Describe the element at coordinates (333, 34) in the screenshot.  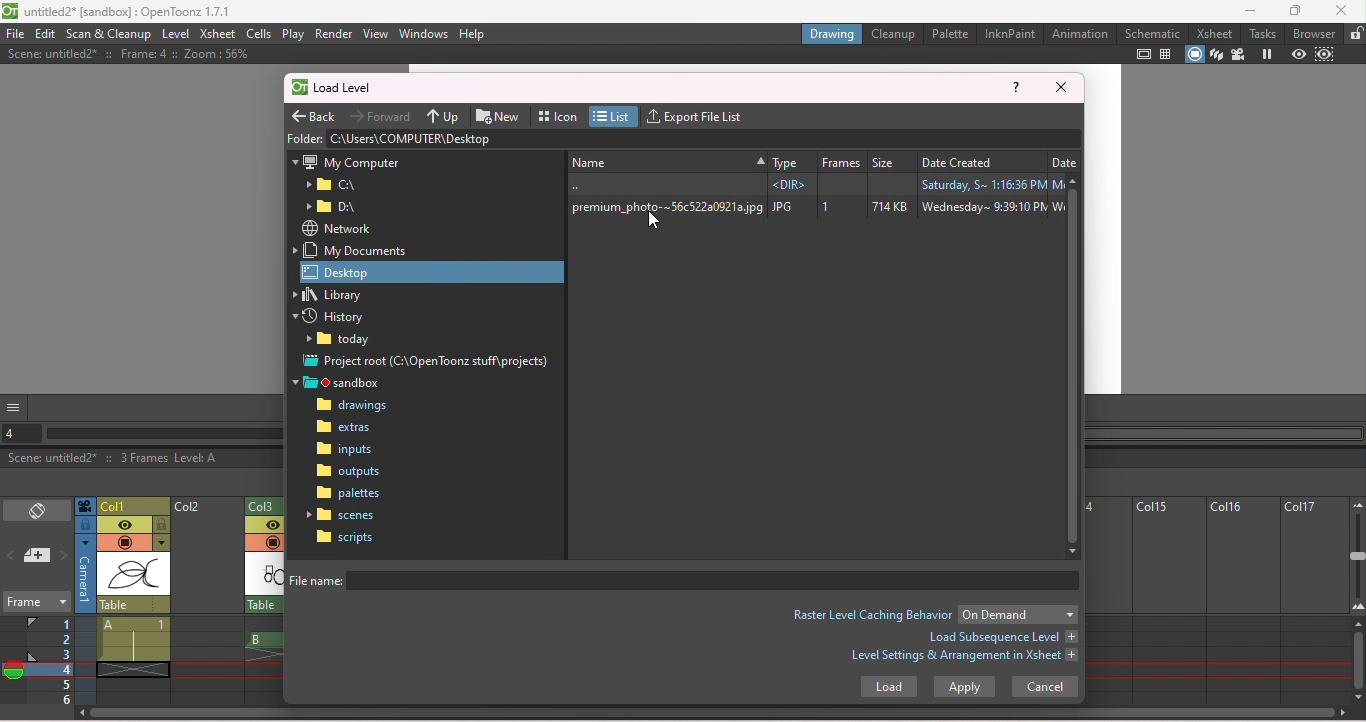
I see `Render` at that location.